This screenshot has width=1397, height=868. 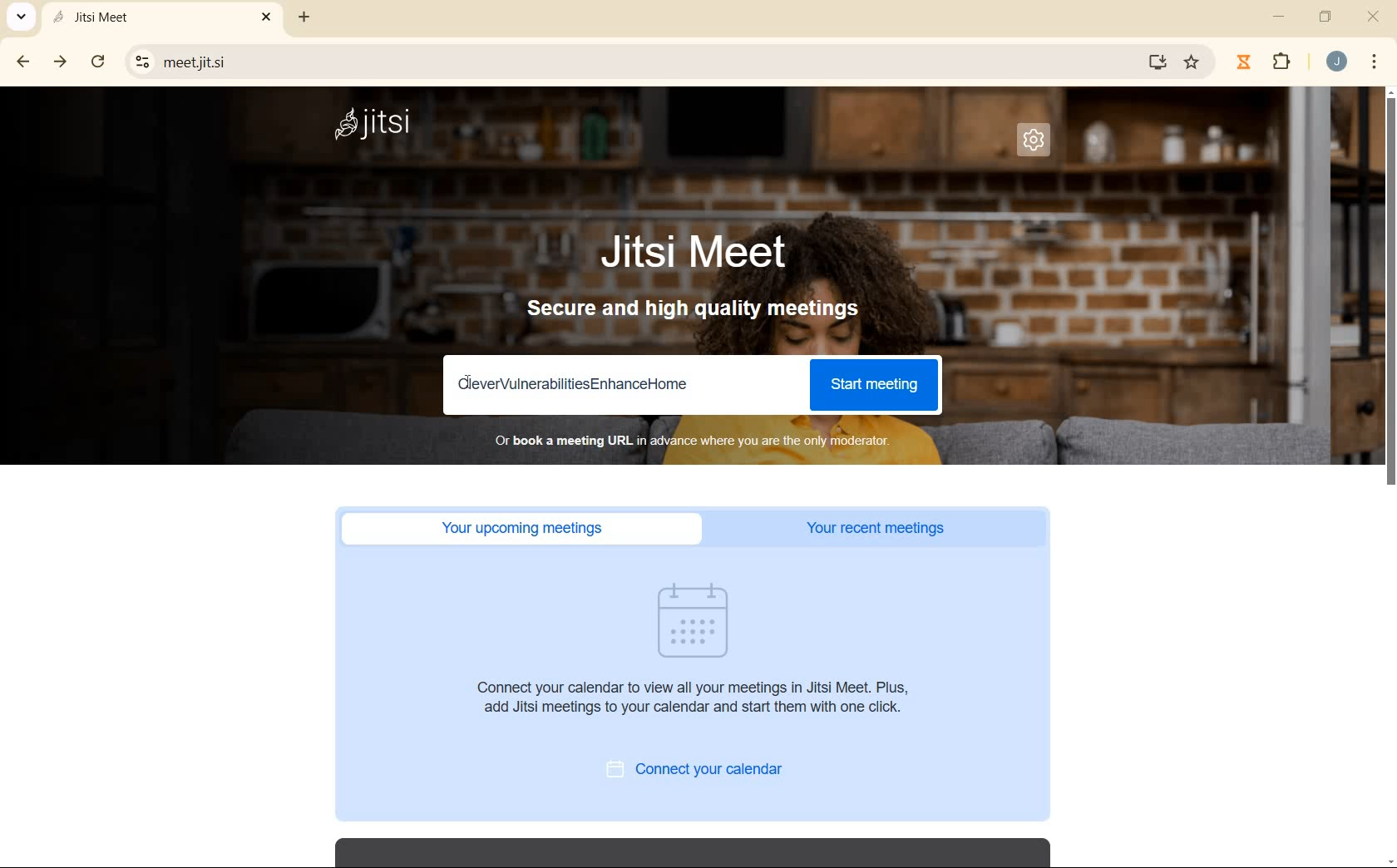 What do you see at coordinates (526, 528) in the screenshot?
I see `Your upcoming meetings` at bounding box center [526, 528].